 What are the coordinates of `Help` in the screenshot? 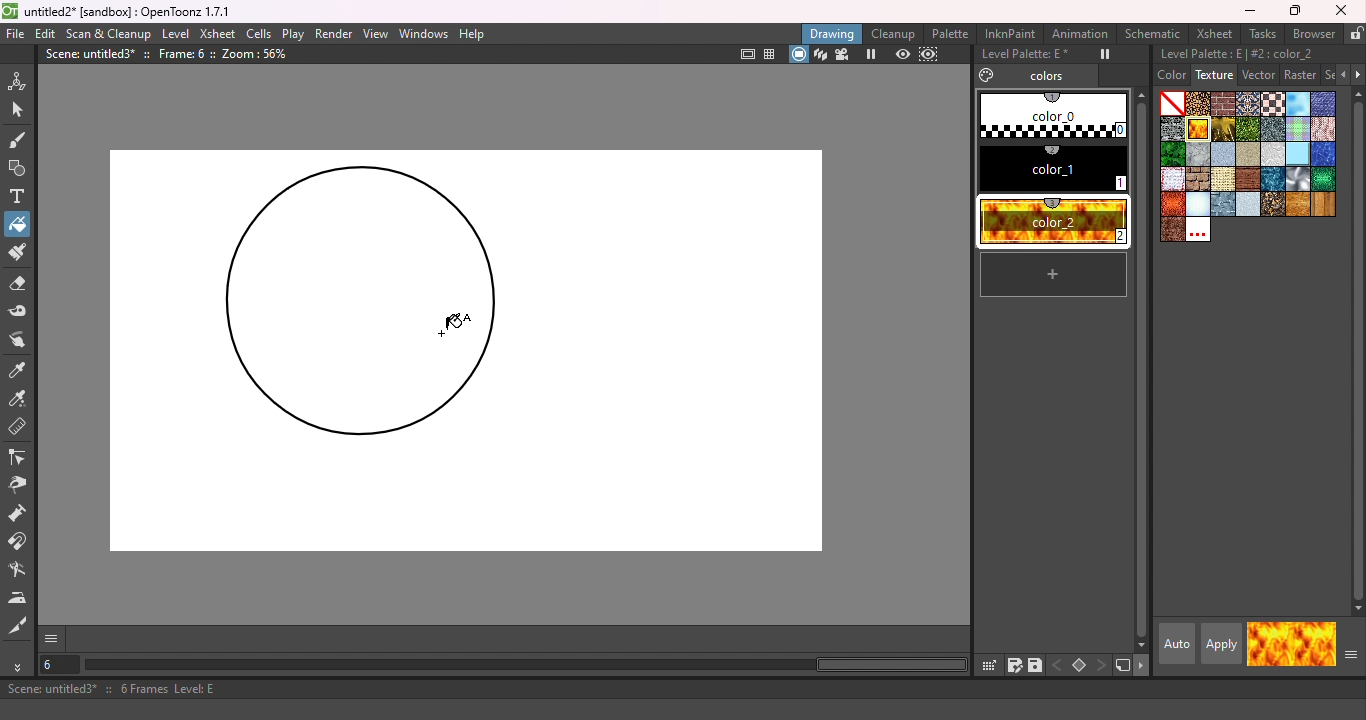 It's located at (472, 34).